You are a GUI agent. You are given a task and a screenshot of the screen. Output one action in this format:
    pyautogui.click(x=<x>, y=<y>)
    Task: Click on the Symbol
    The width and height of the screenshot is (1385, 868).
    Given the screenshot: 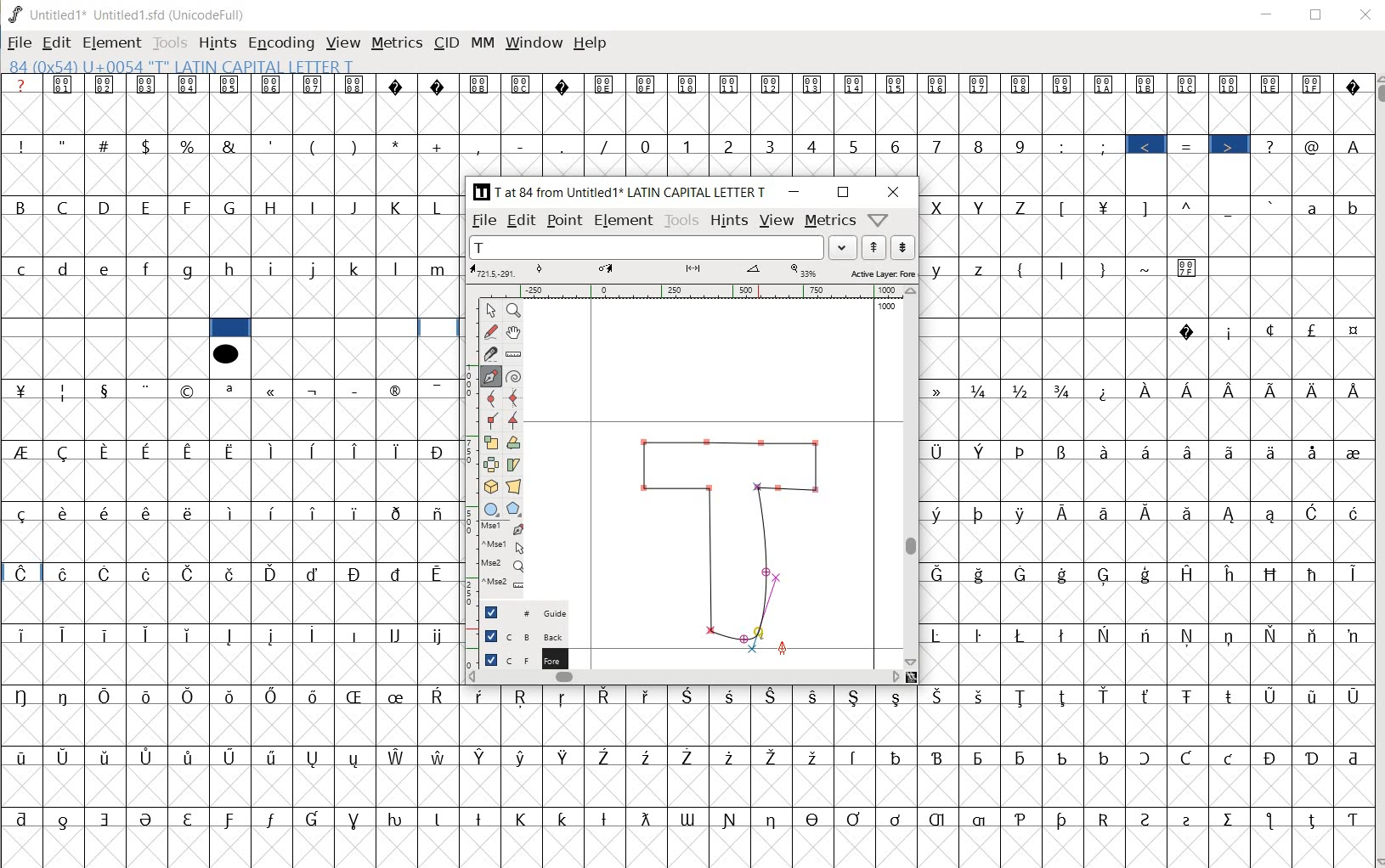 What is the action you would take?
    pyautogui.click(x=20, y=572)
    